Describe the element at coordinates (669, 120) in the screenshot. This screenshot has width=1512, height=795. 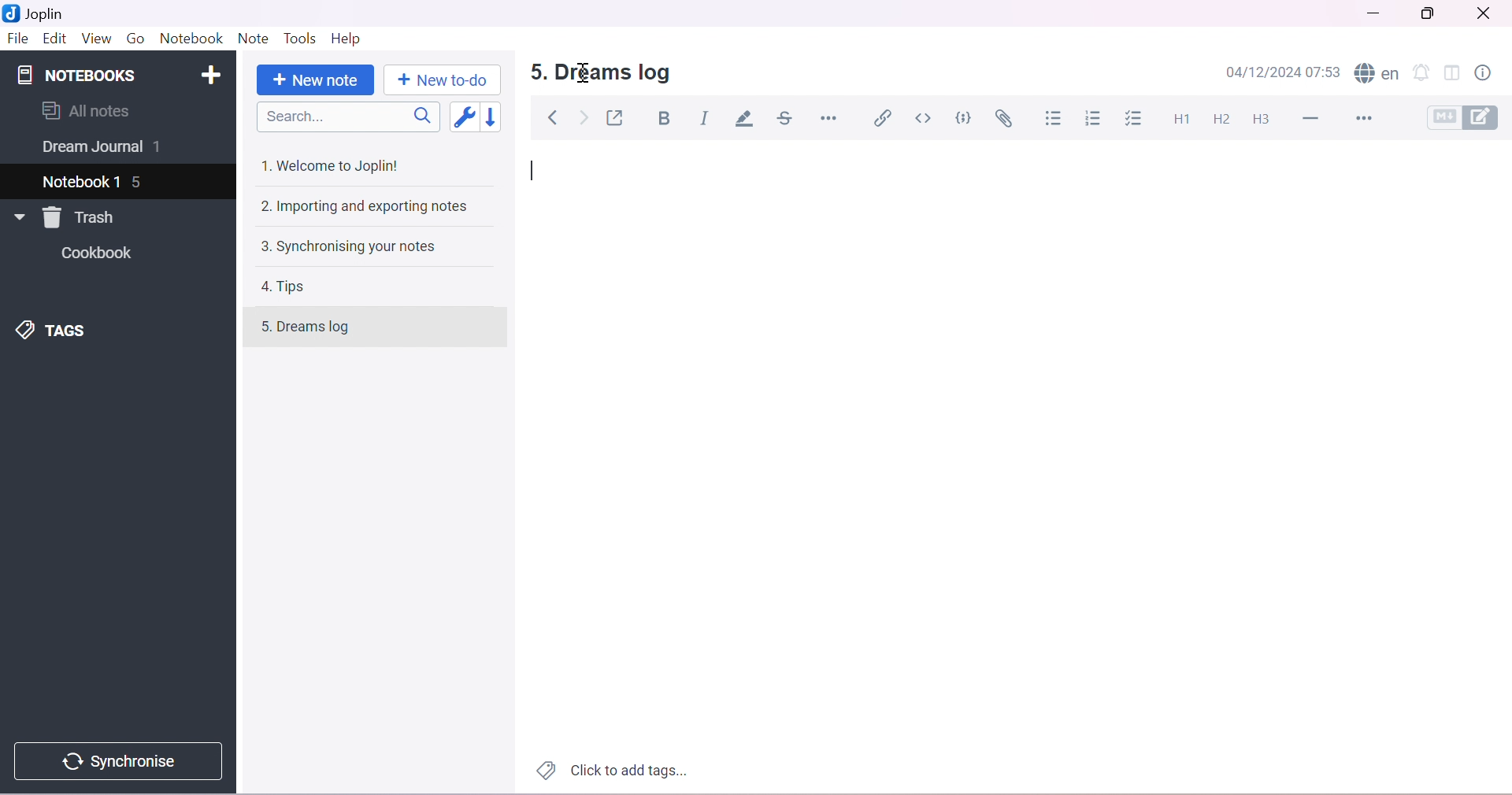
I see `Bold` at that location.